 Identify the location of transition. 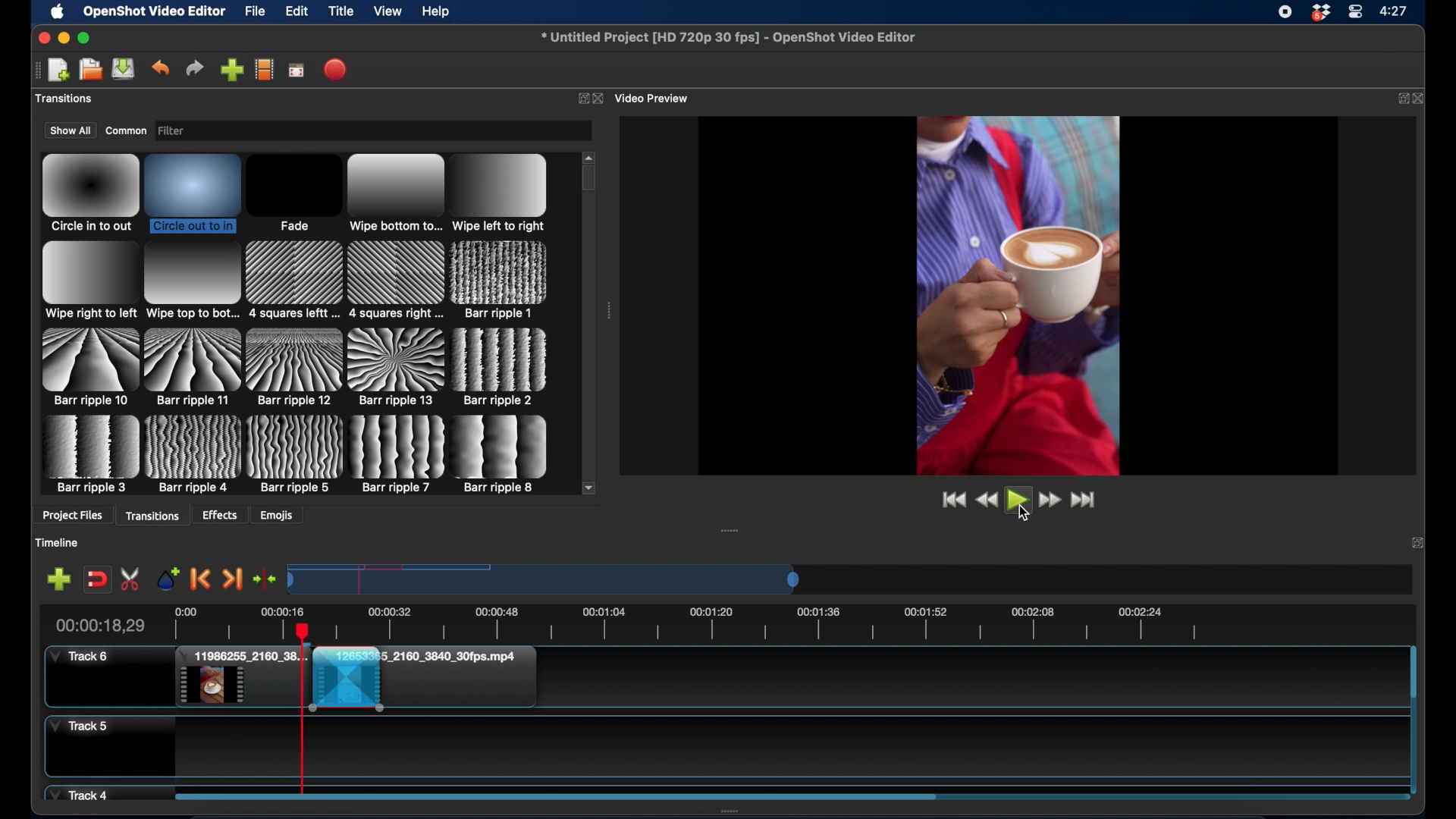
(293, 193).